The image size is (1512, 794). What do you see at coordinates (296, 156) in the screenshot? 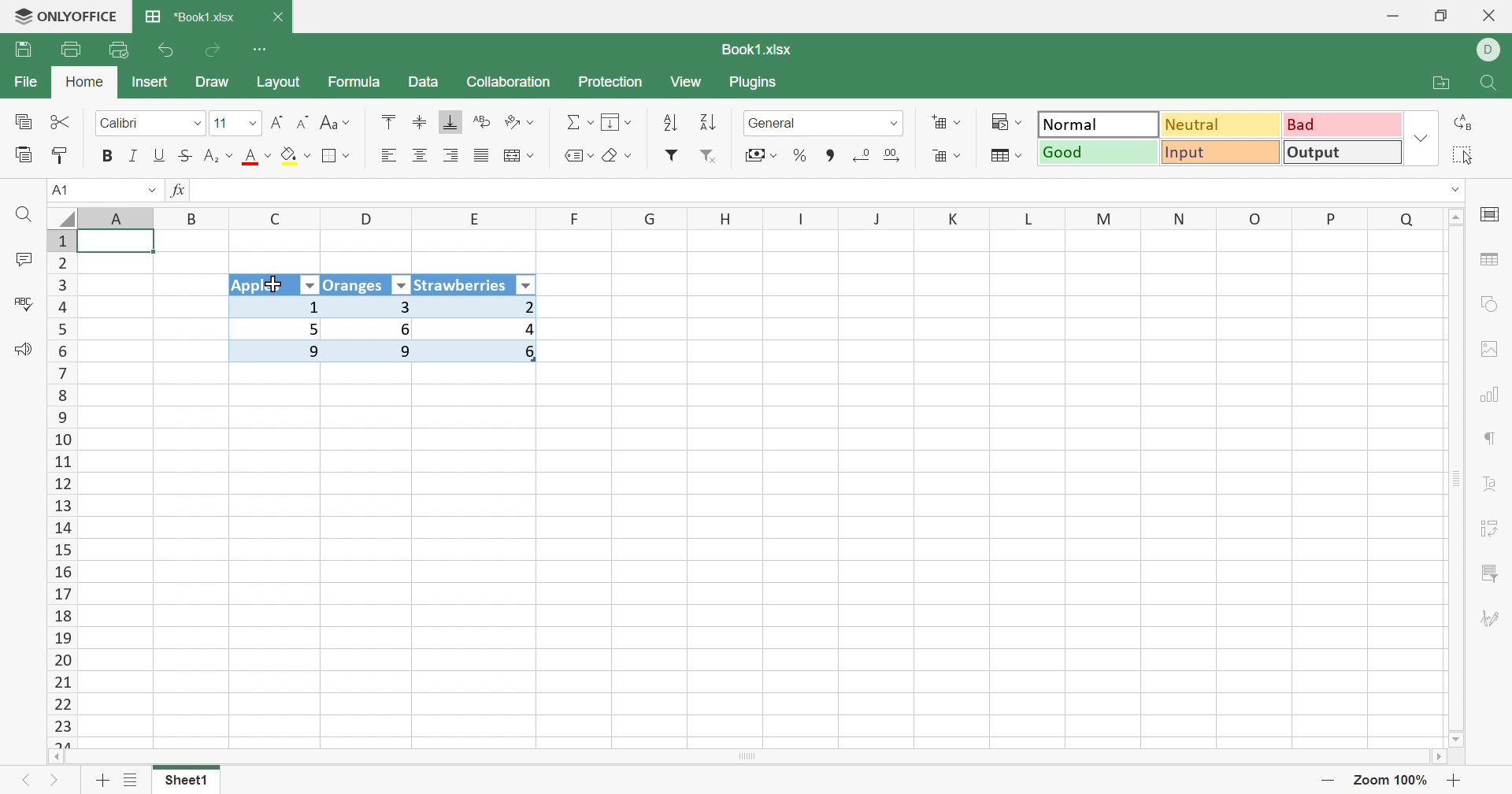
I see `Fill color` at bounding box center [296, 156].